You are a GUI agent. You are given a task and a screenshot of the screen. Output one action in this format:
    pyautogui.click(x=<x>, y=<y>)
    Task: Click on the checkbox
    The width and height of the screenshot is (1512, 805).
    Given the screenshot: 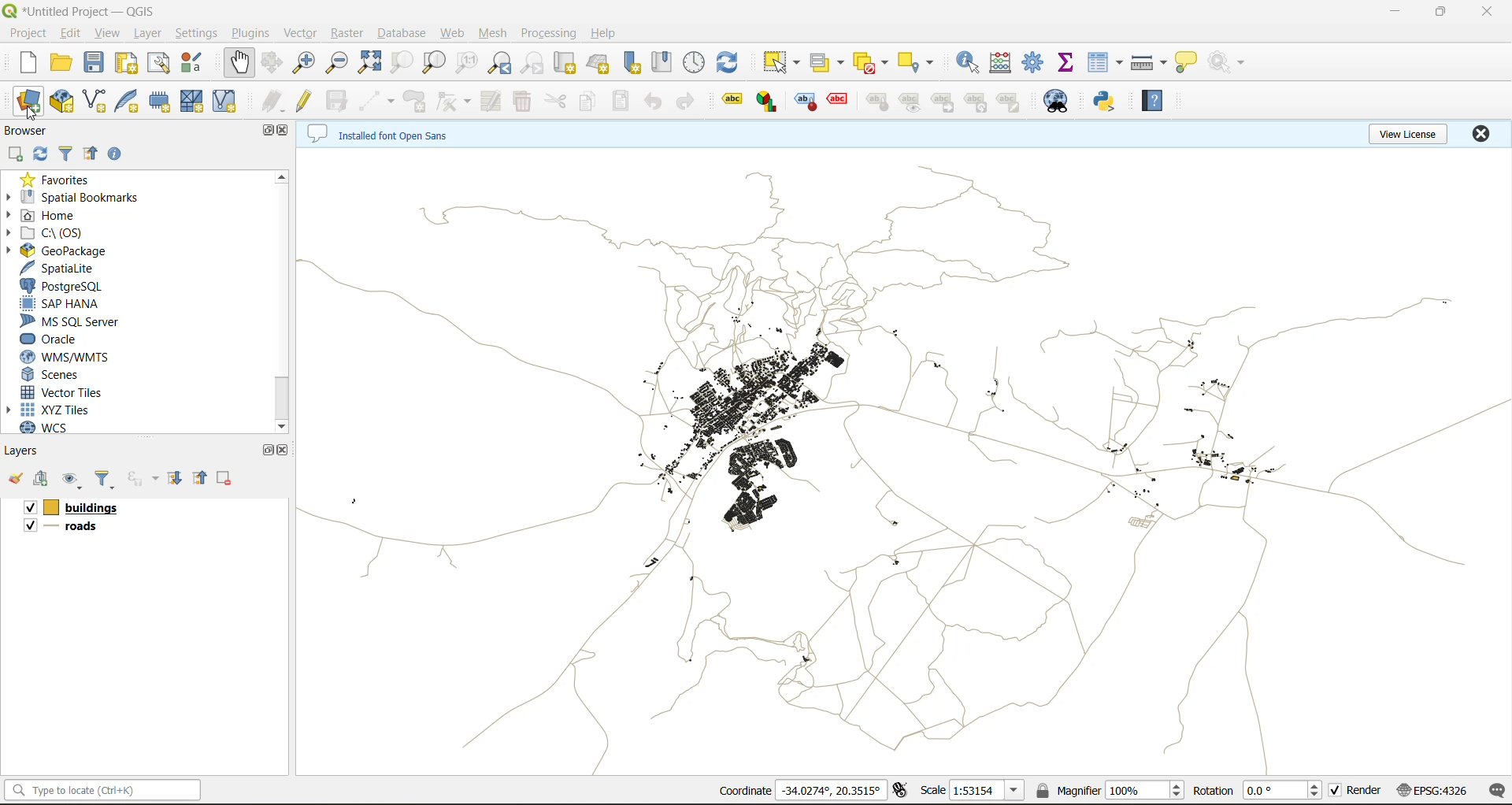 What is the action you would take?
    pyautogui.click(x=28, y=508)
    